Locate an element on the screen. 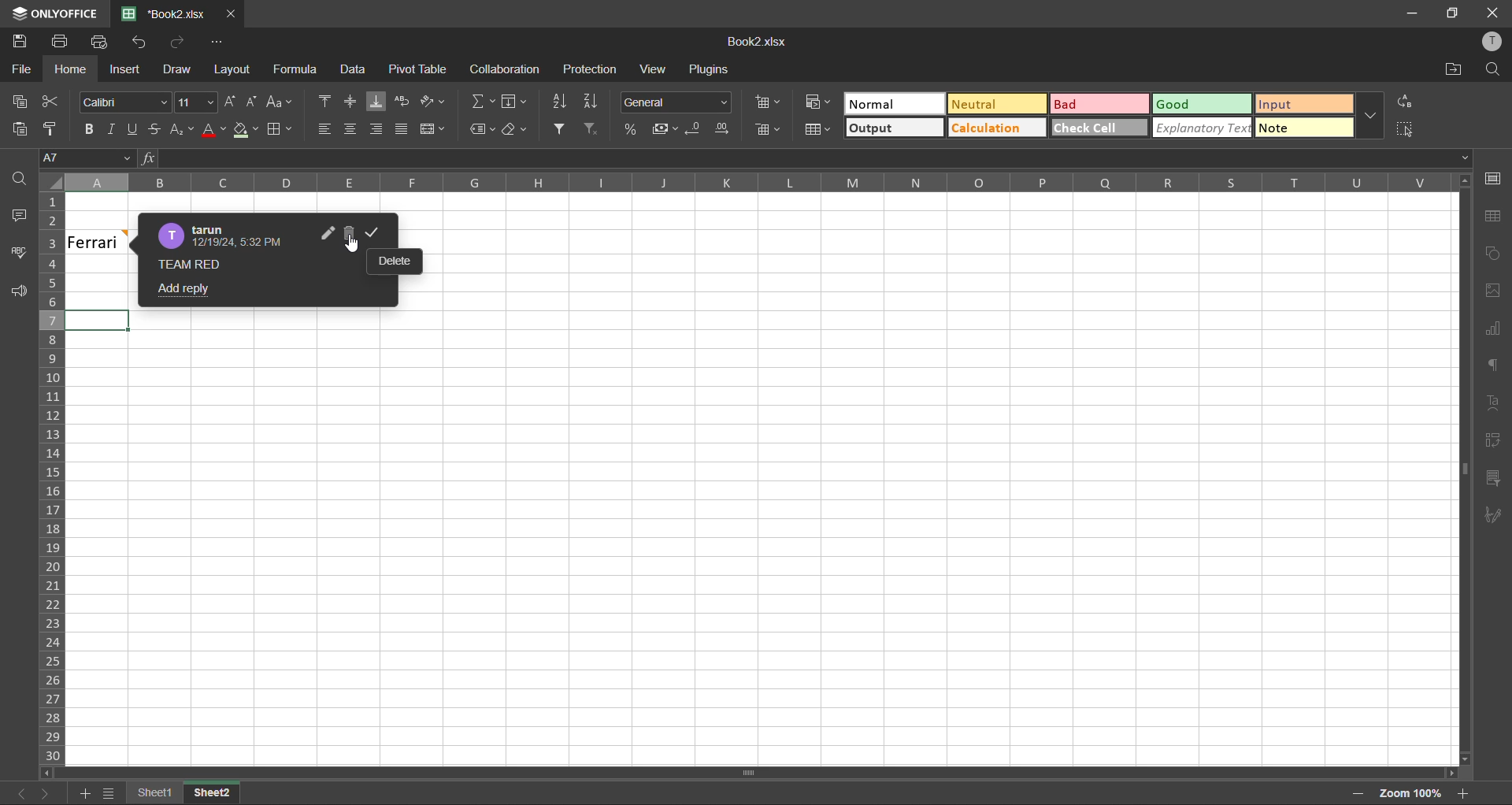 The image size is (1512, 805). format as table is located at coordinates (818, 130).